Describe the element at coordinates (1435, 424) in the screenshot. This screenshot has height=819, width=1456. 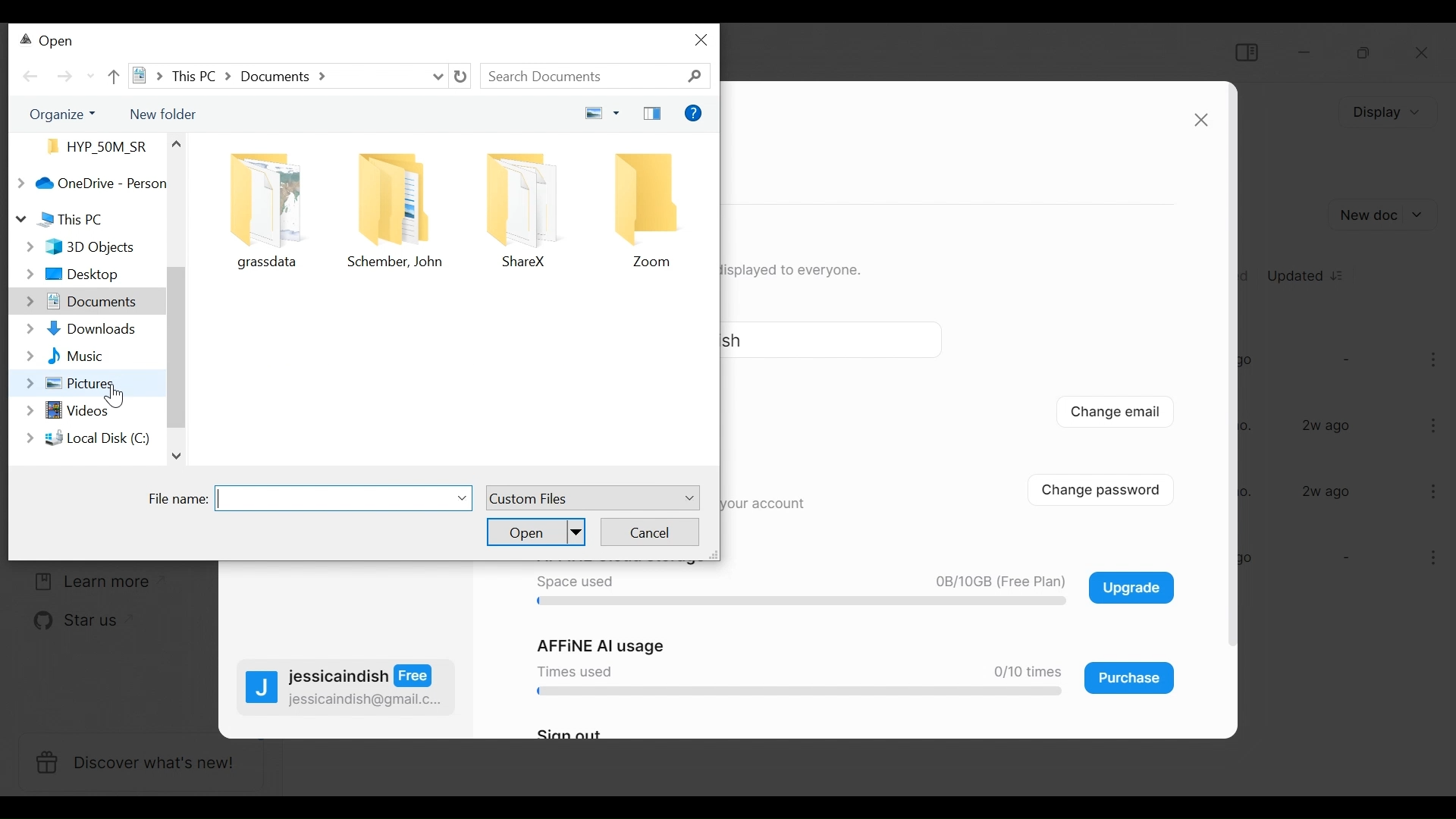
I see `more options` at that location.